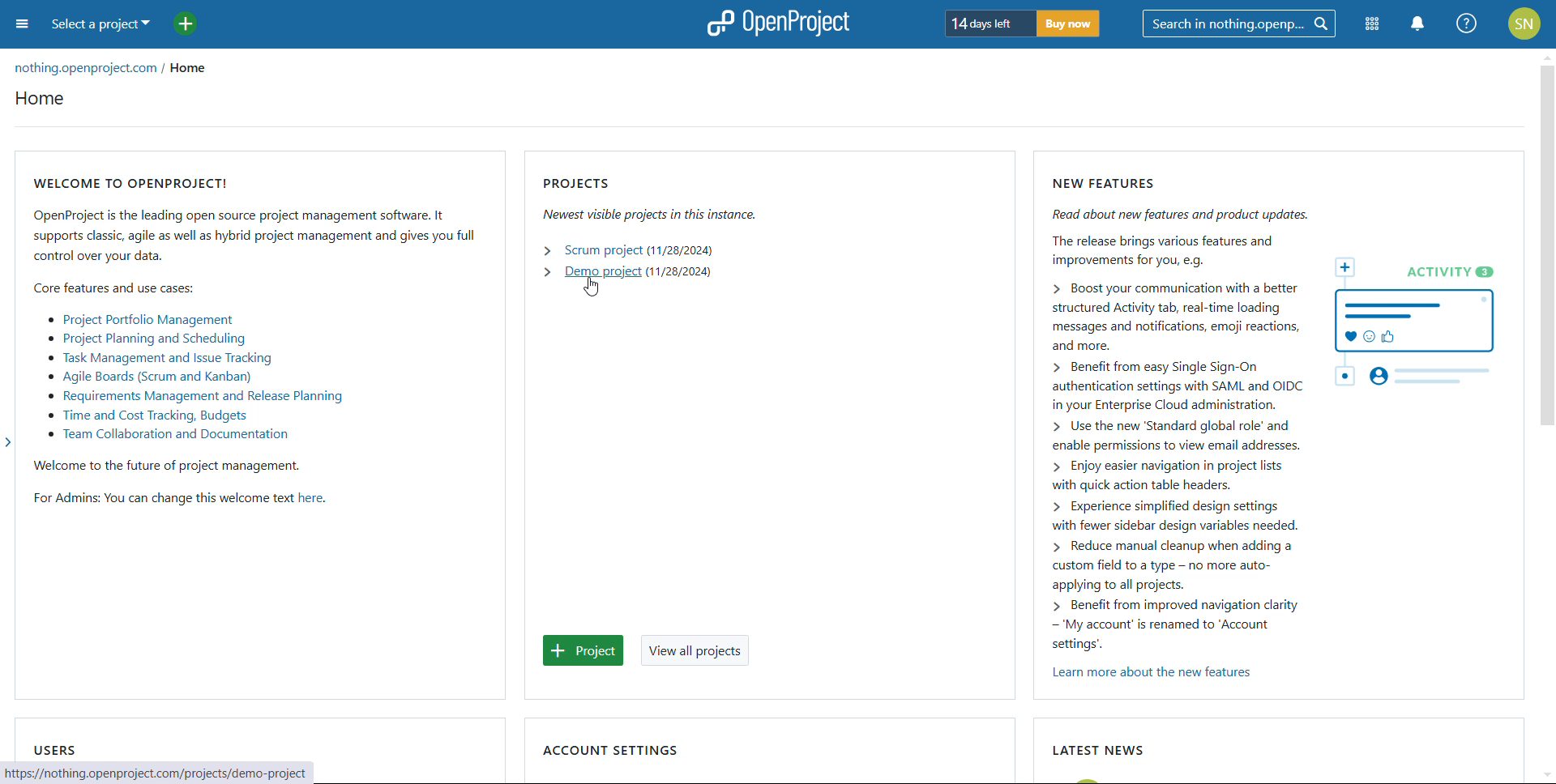  Describe the element at coordinates (592, 288) in the screenshot. I see `cursor` at that location.